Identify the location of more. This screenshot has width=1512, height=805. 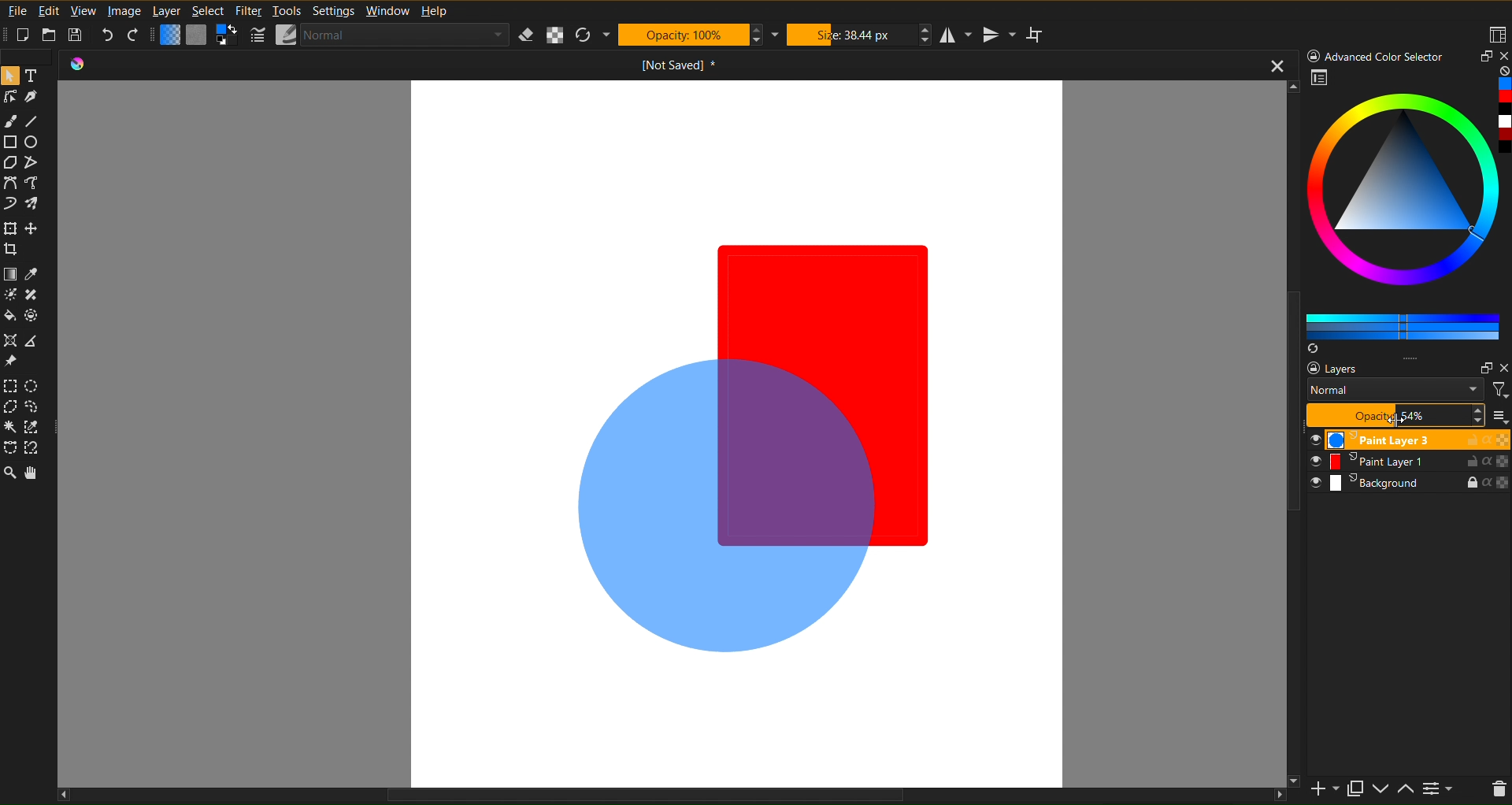
(1440, 788).